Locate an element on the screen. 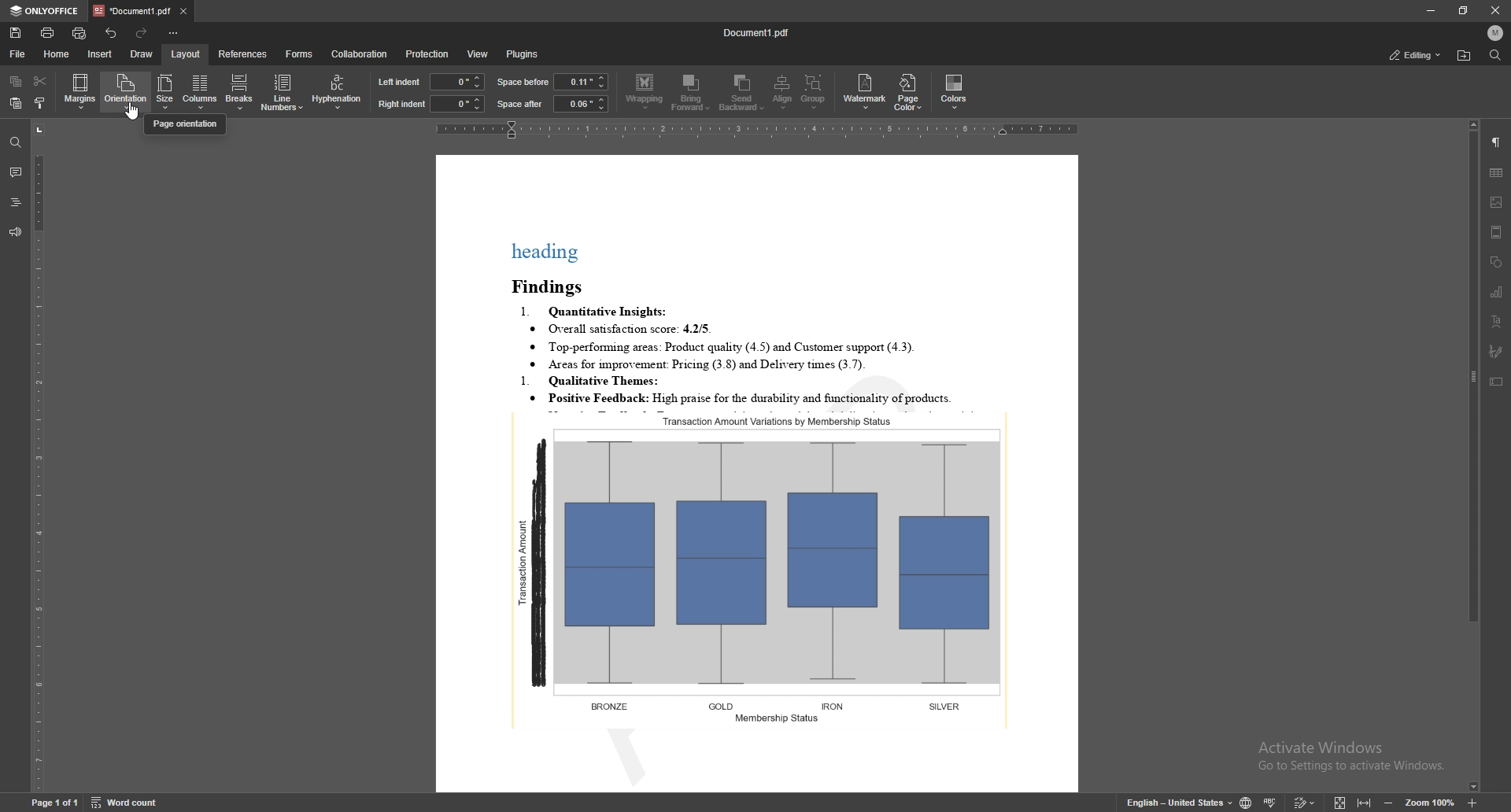 Image resolution: width=1511 pixels, height=812 pixels. input right indent is located at coordinates (457, 104).